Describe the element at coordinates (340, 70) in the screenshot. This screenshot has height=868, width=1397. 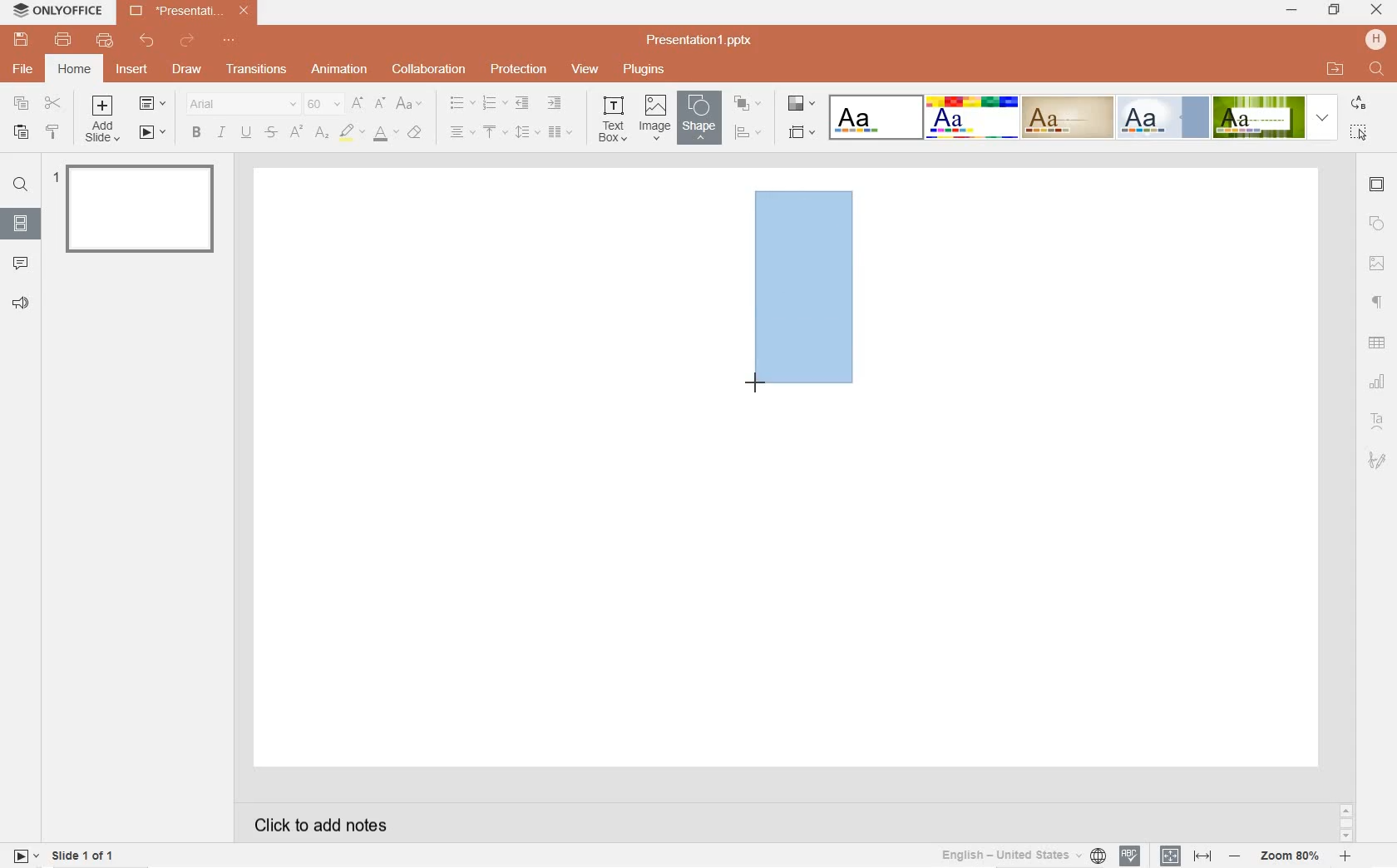
I see `animation` at that location.